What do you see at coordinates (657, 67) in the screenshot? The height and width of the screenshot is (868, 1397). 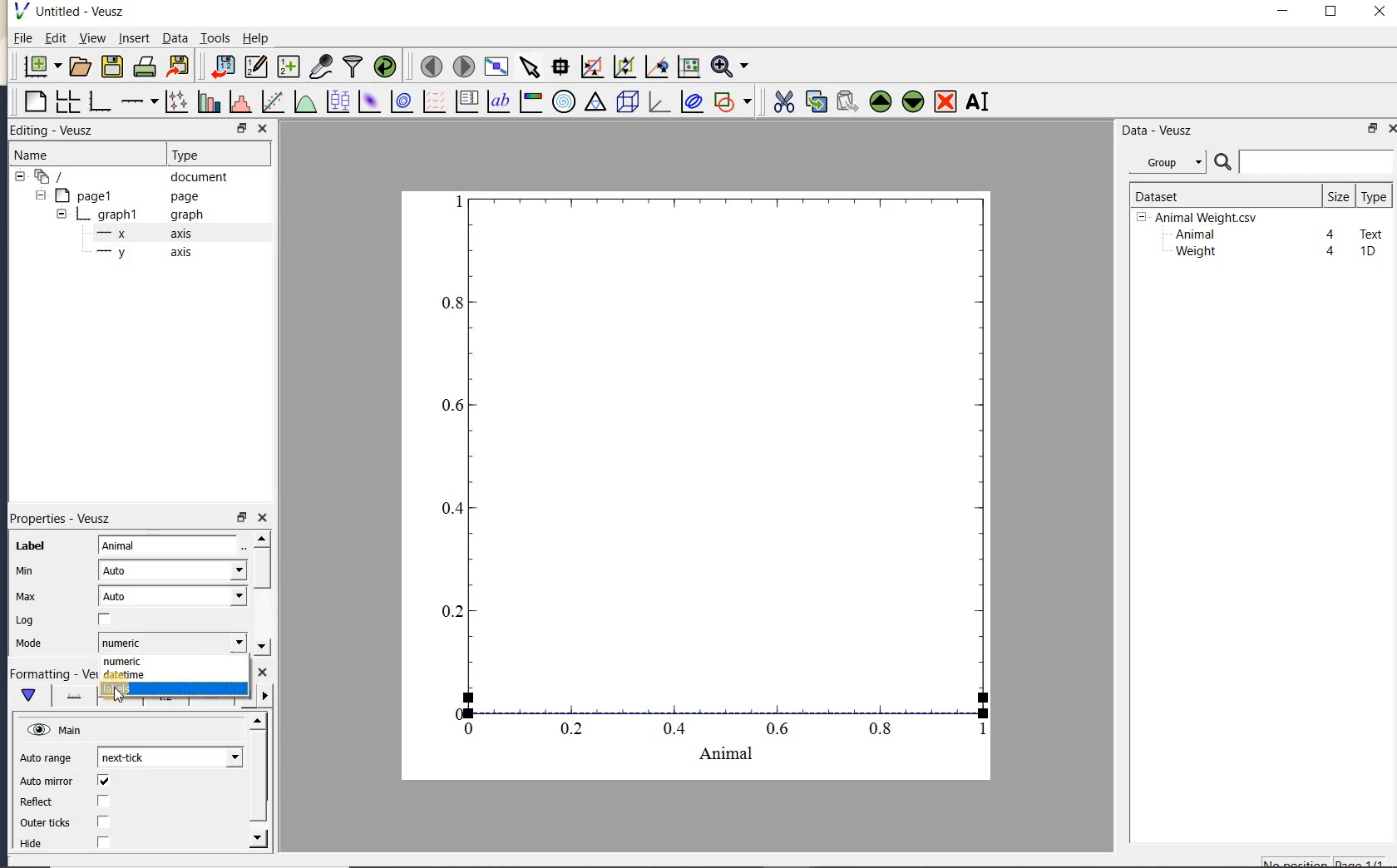 I see `click to recenter graph axes` at bounding box center [657, 67].